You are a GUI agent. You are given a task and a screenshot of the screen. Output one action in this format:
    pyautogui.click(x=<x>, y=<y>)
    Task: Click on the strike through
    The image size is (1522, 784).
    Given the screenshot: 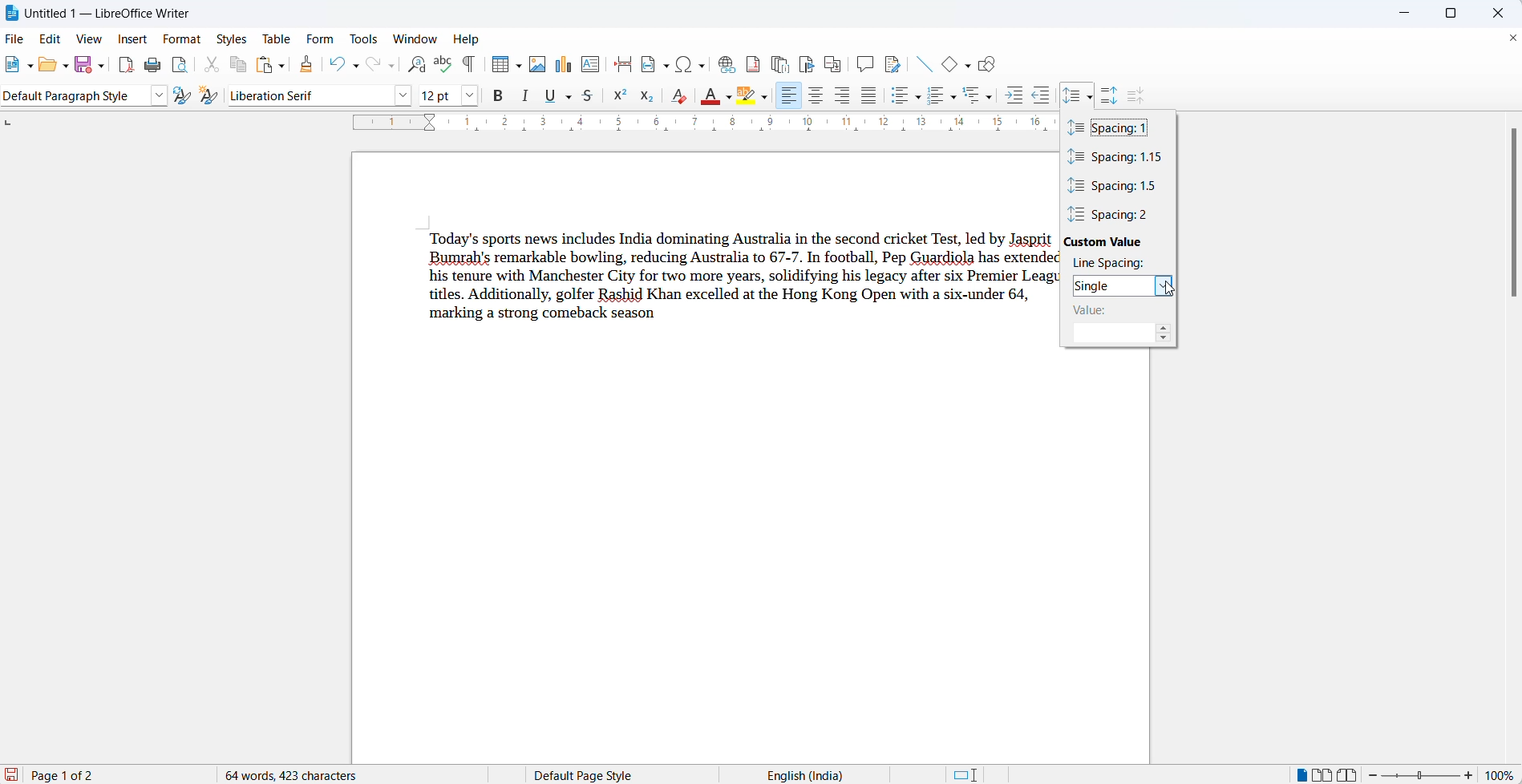 What is the action you would take?
    pyautogui.click(x=589, y=95)
    